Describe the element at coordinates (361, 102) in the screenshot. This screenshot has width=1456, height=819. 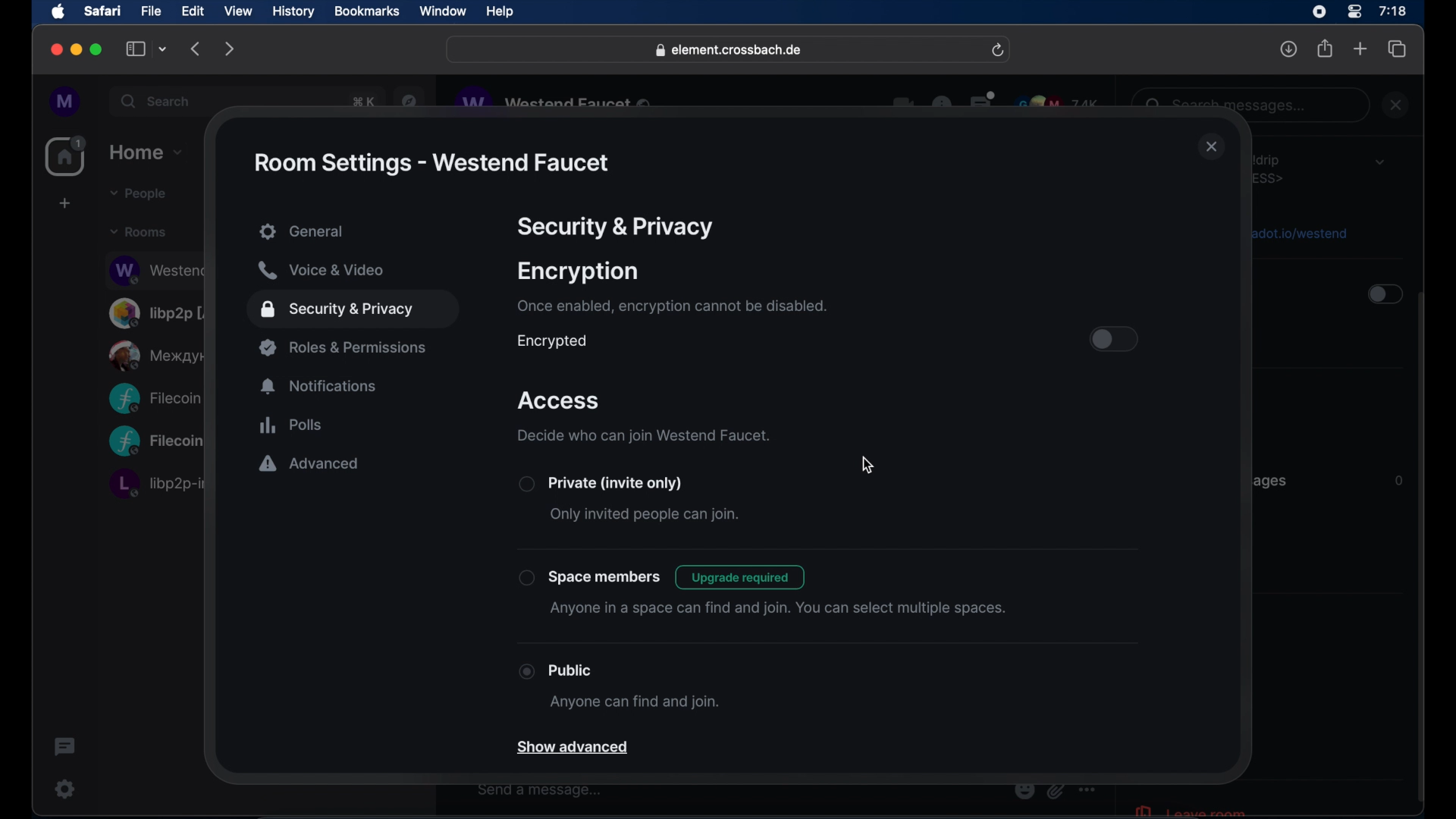
I see `obscure` at that location.